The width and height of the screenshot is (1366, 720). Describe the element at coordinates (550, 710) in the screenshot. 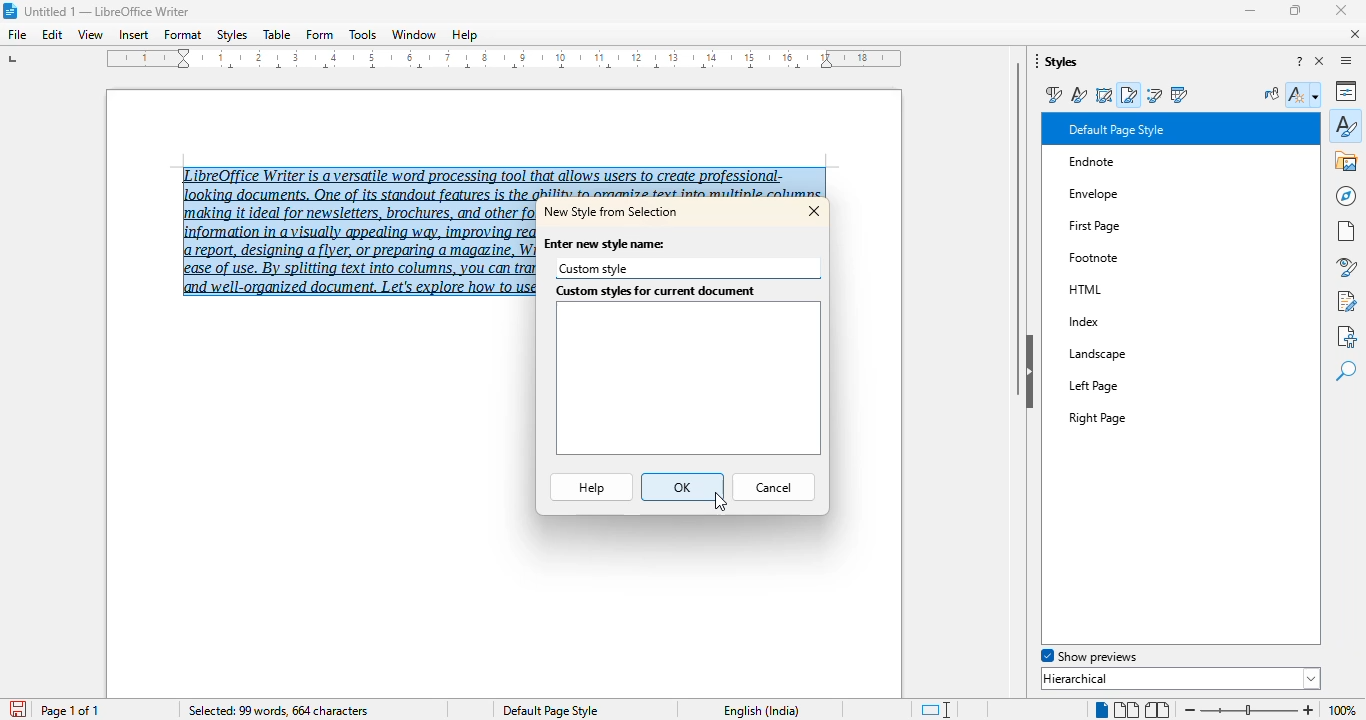

I see `Default page style` at that location.